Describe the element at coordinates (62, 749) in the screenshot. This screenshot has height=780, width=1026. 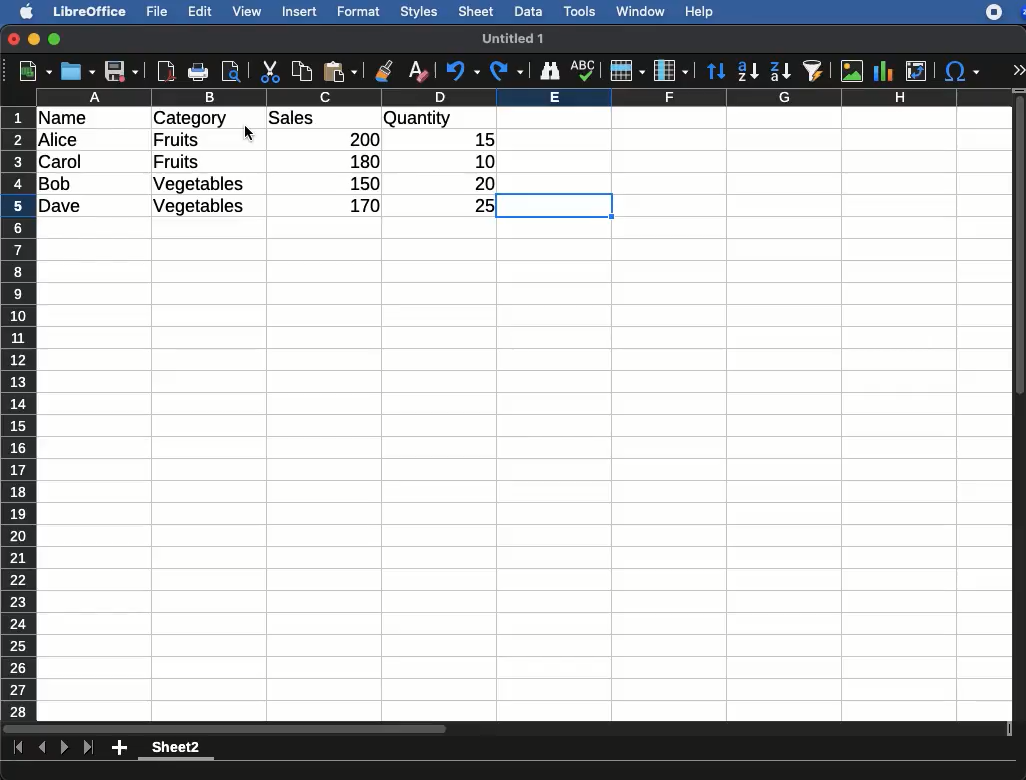
I see `next sheet` at that location.